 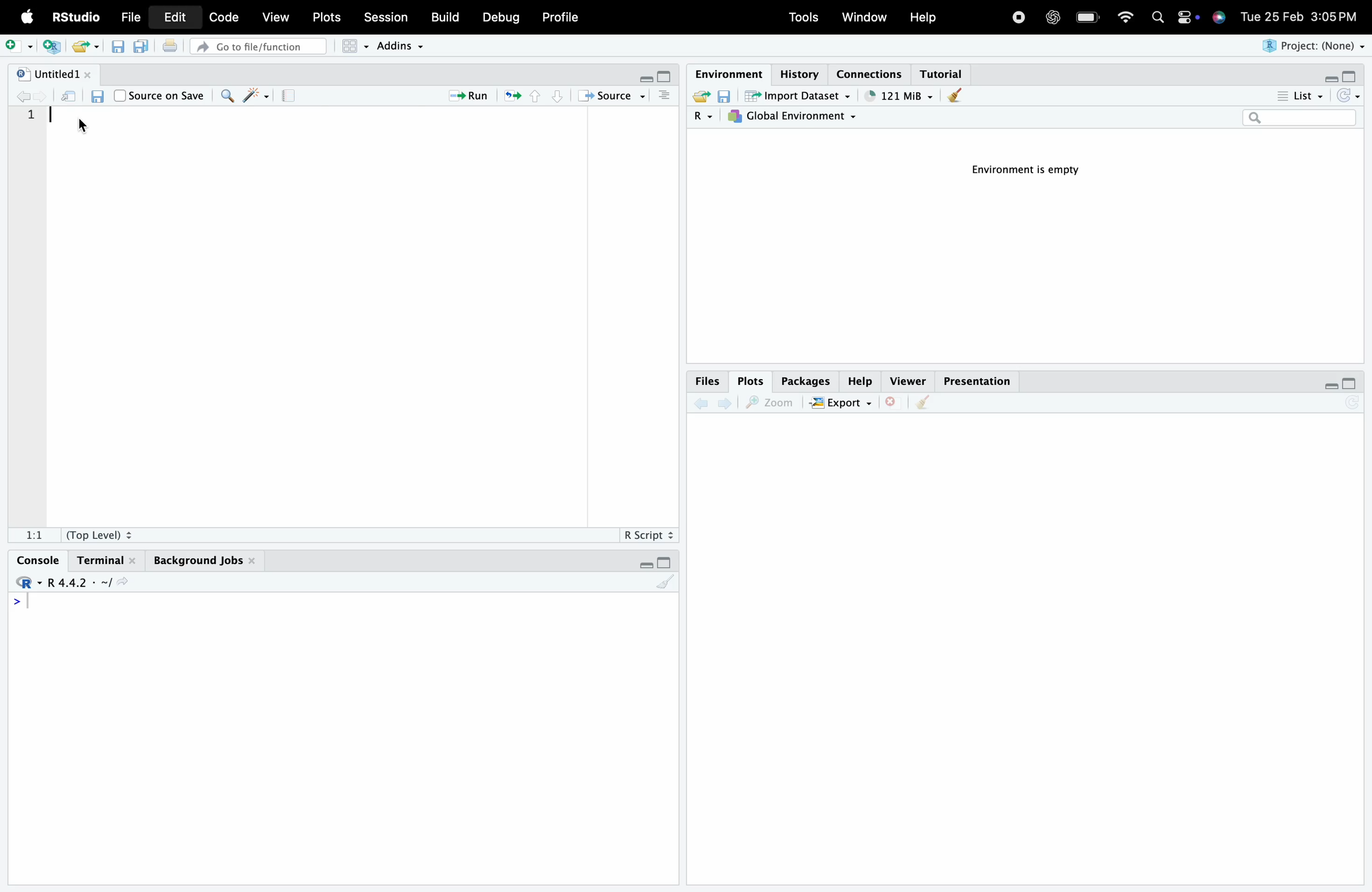 I want to click on Close, so click(x=895, y=403).